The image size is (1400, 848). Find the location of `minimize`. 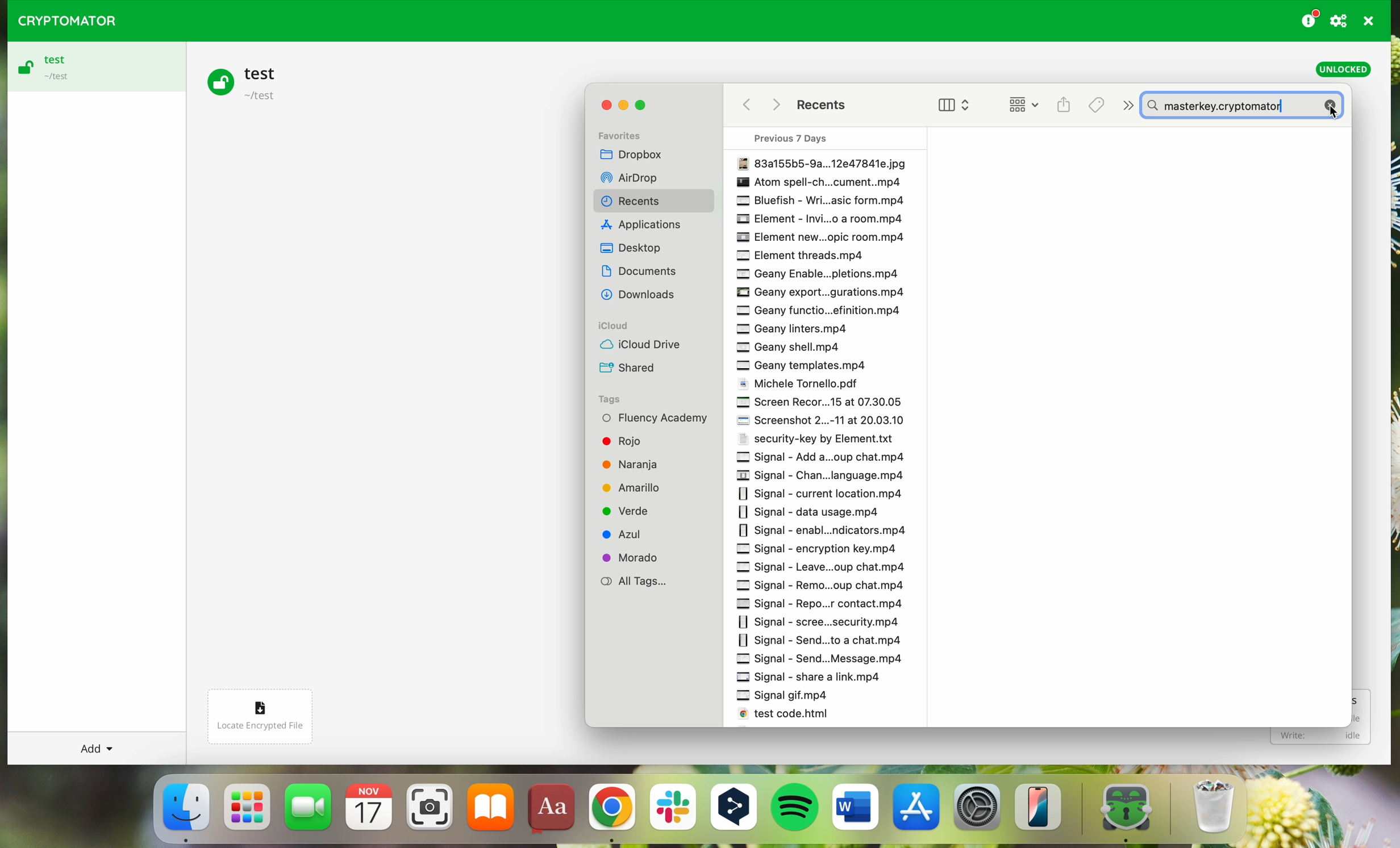

minimize is located at coordinates (622, 106).